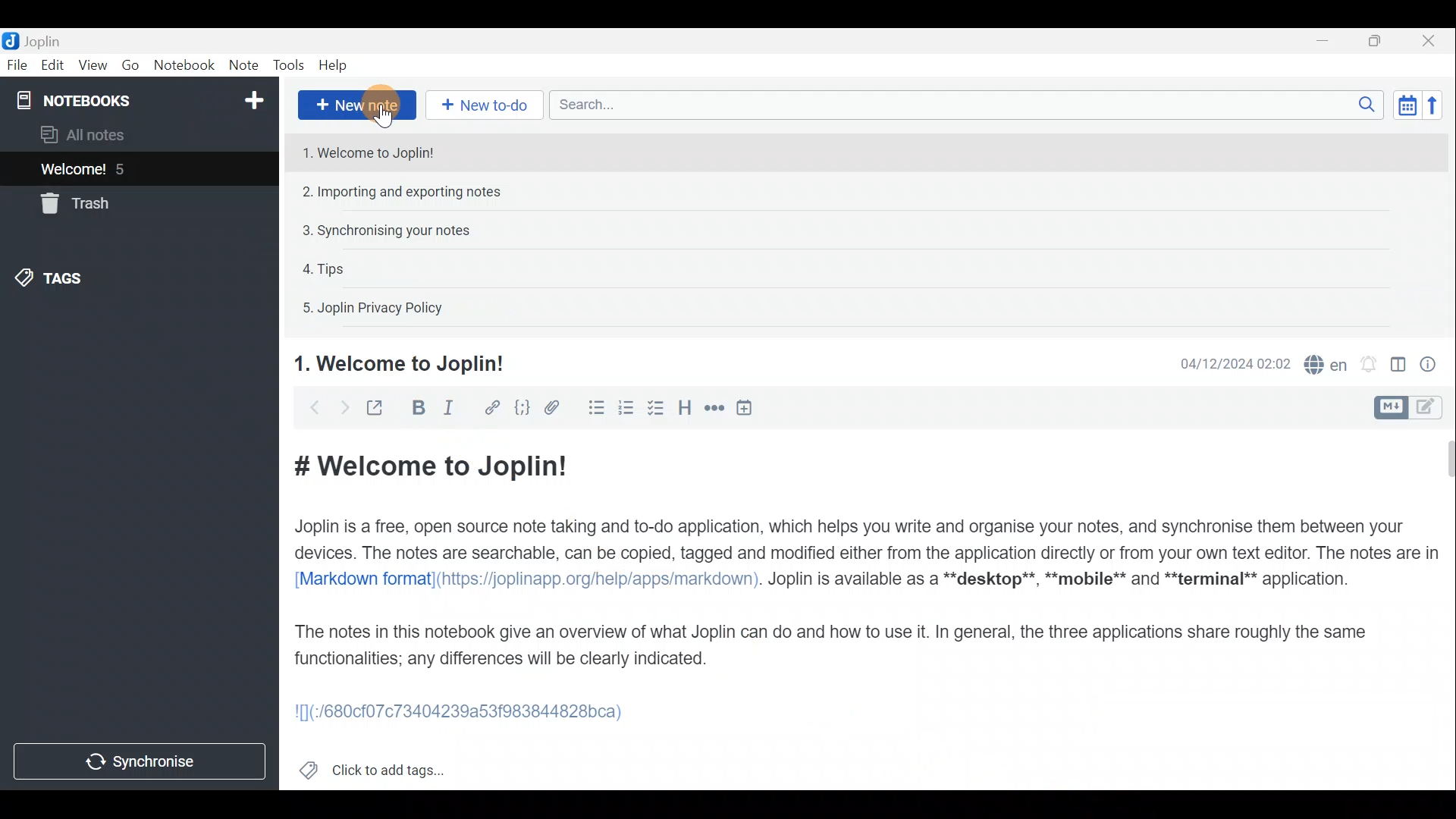 This screenshot has width=1456, height=819. What do you see at coordinates (683, 413) in the screenshot?
I see `Heading` at bounding box center [683, 413].